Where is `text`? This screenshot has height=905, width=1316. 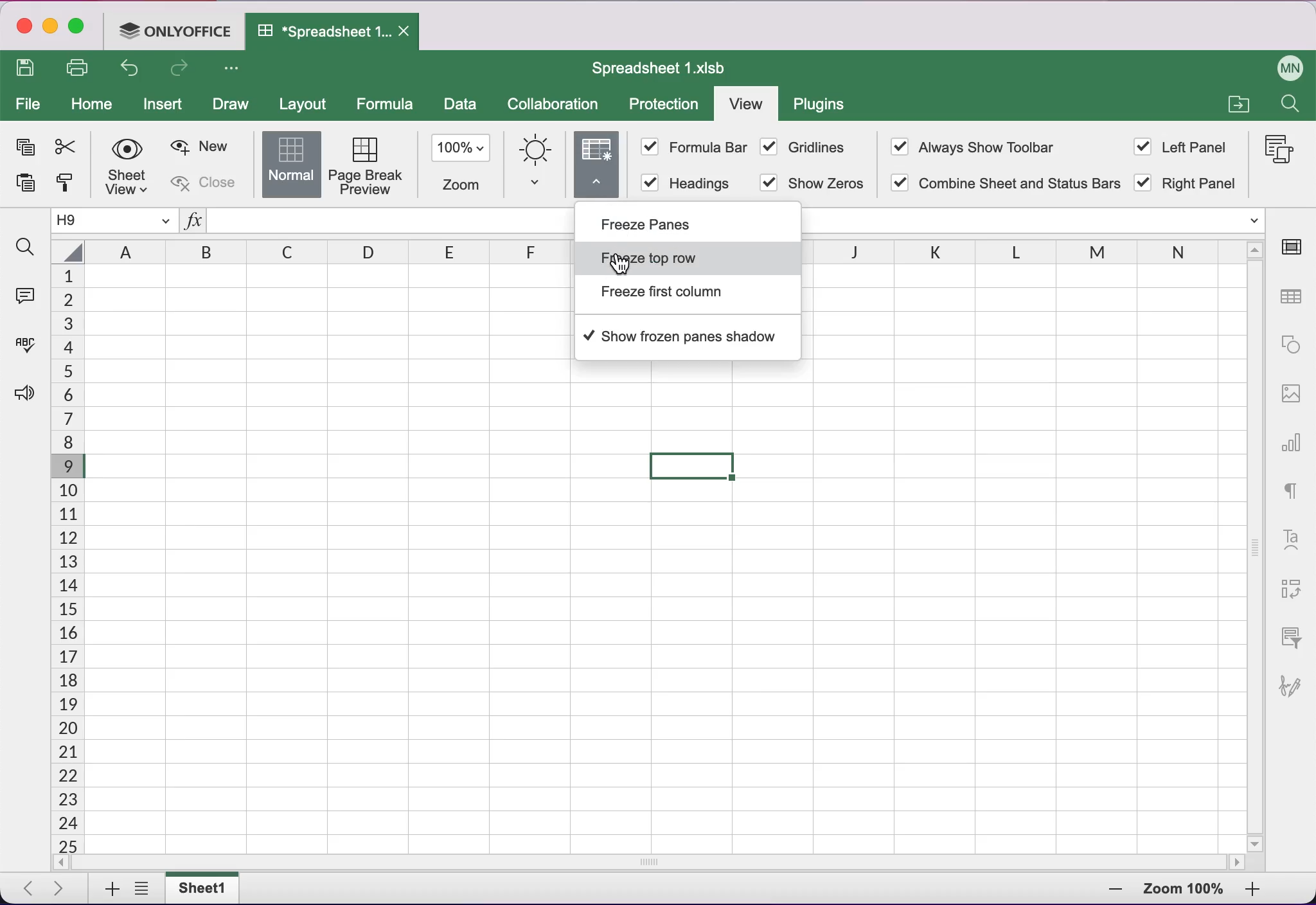
text is located at coordinates (1295, 491).